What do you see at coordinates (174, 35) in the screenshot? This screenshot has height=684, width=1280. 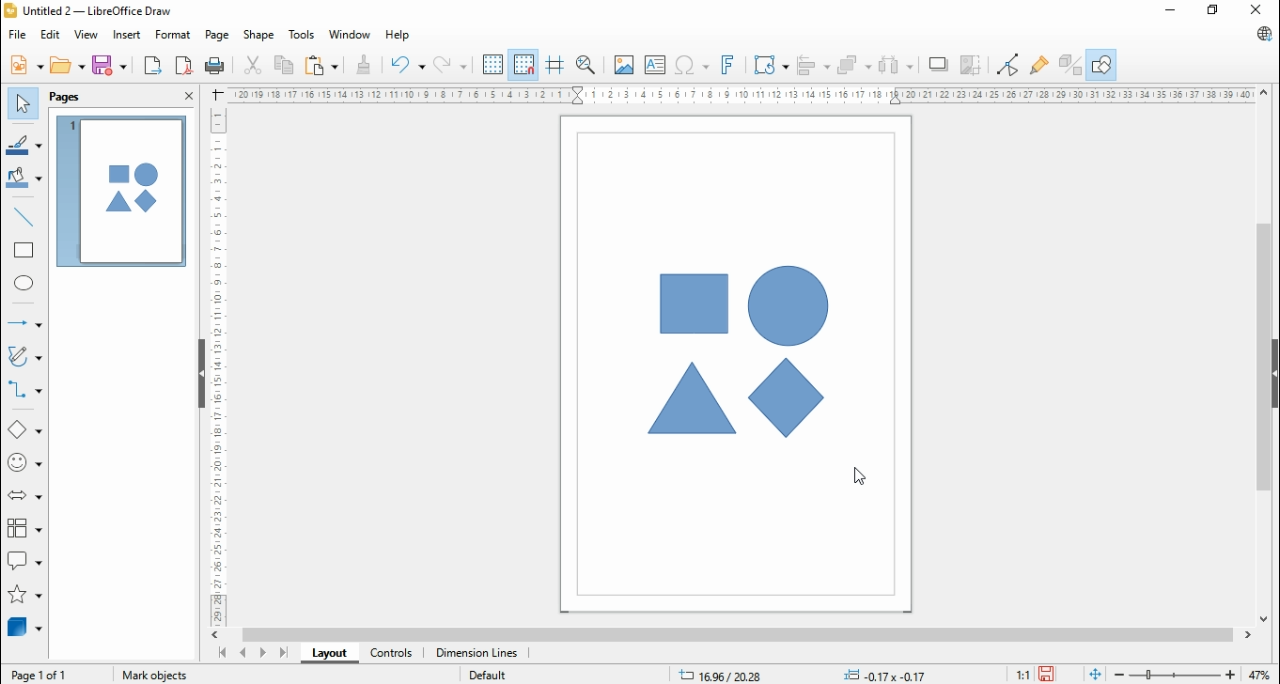 I see `format` at bounding box center [174, 35].